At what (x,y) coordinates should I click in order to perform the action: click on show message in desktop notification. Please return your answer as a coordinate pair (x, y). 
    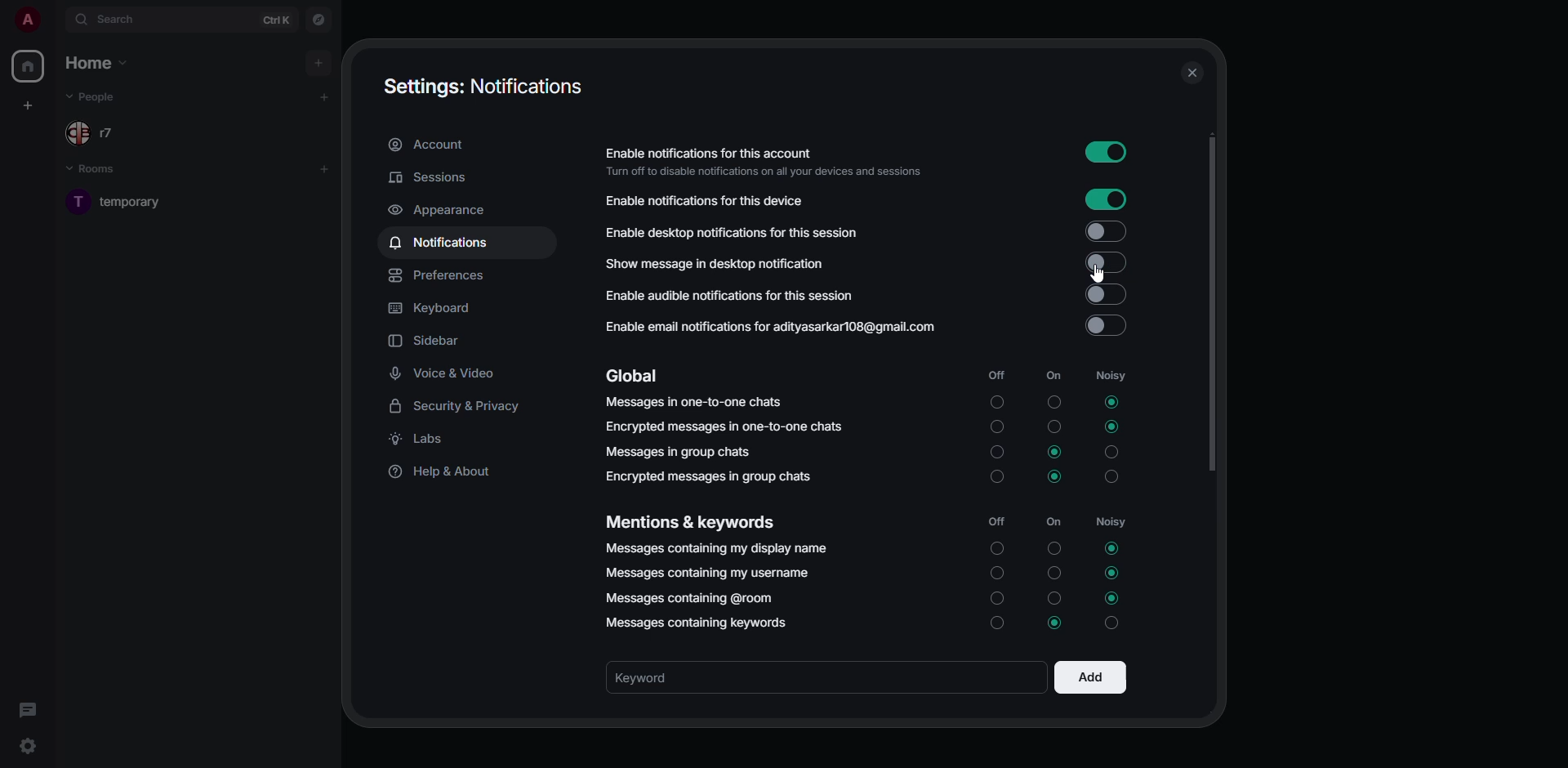
    Looking at the image, I should click on (715, 264).